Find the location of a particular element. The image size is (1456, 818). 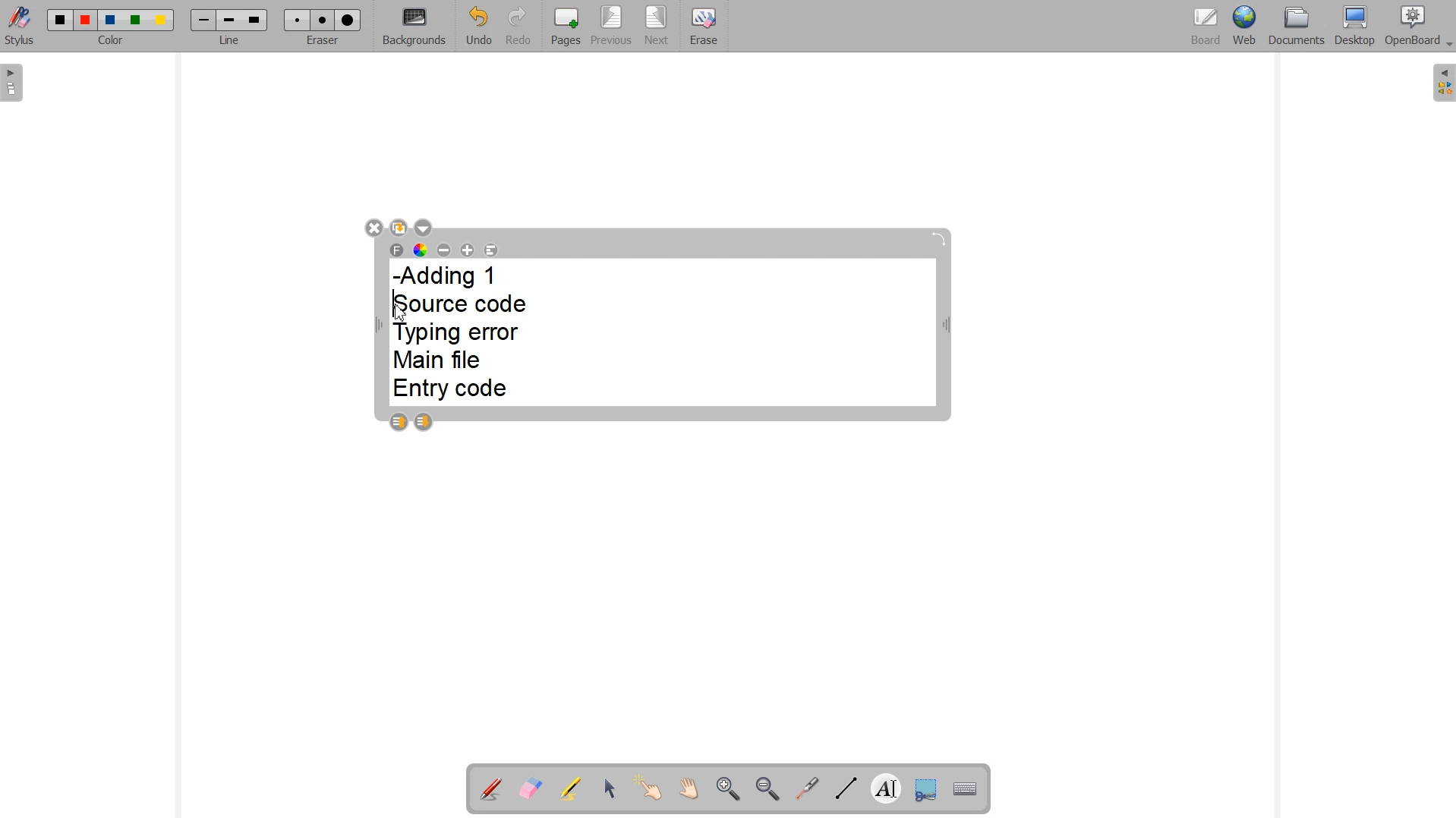

Backgrounds is located at coordinates (414, 27).